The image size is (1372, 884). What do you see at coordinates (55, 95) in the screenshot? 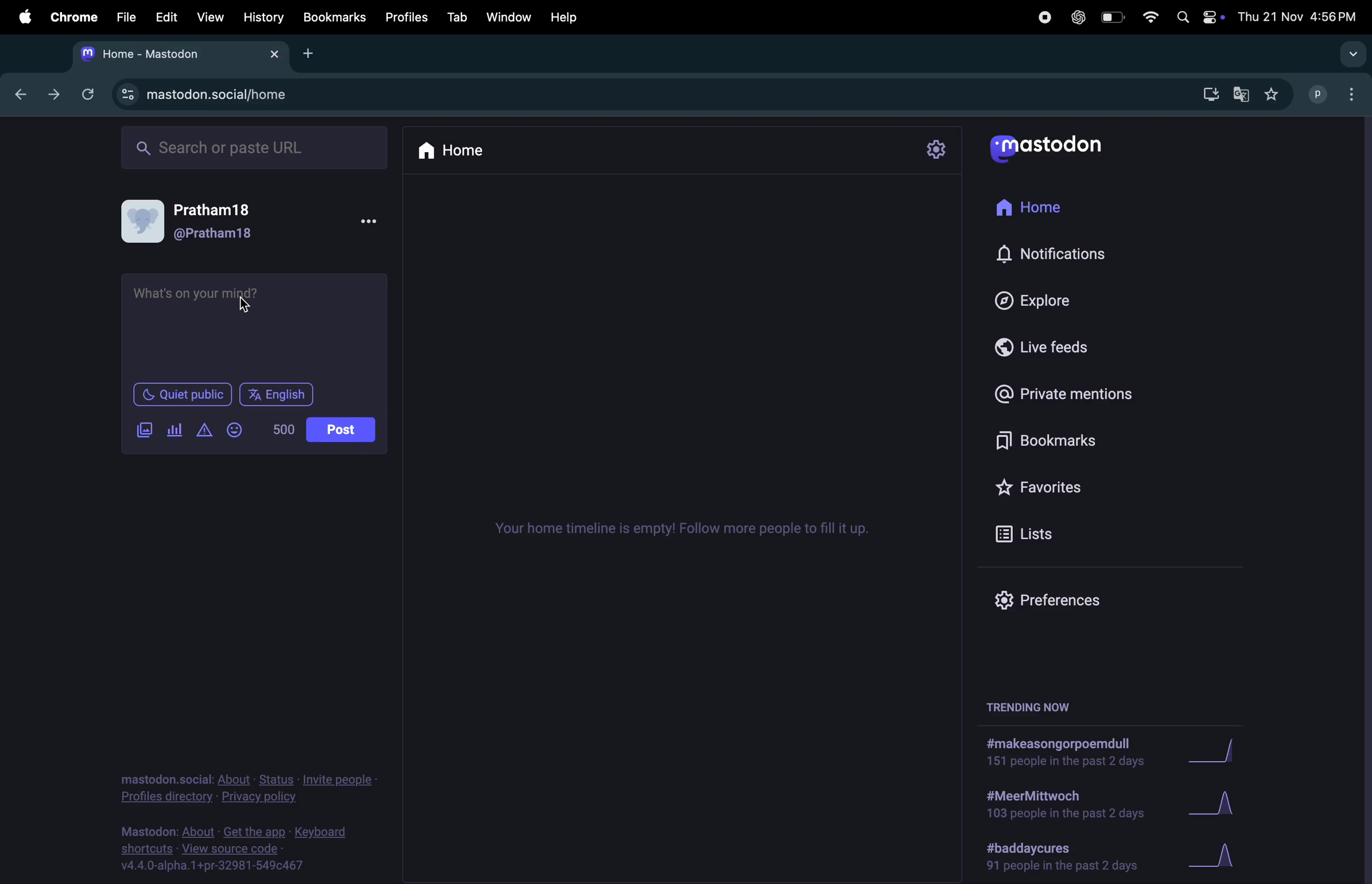
I see `next tab` at bounding box center [55, 95].